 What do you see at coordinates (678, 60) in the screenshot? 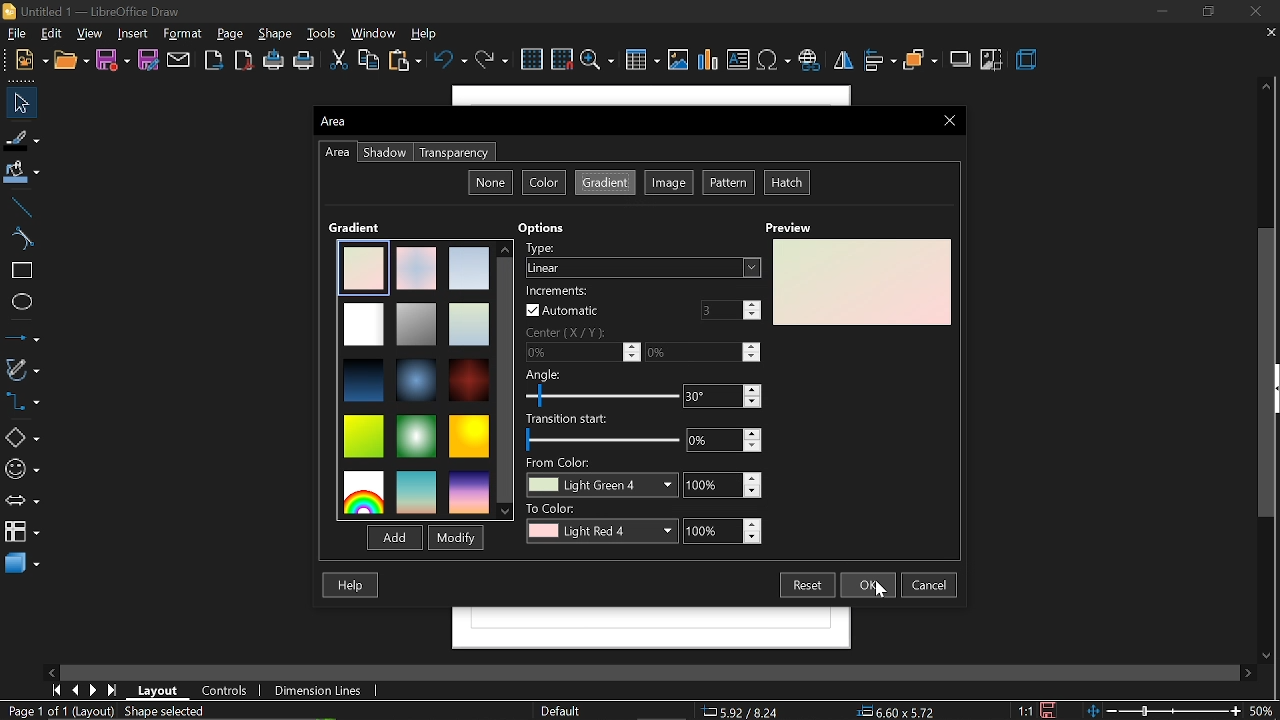
I see `Insert image` at bounding box center [678, 60].